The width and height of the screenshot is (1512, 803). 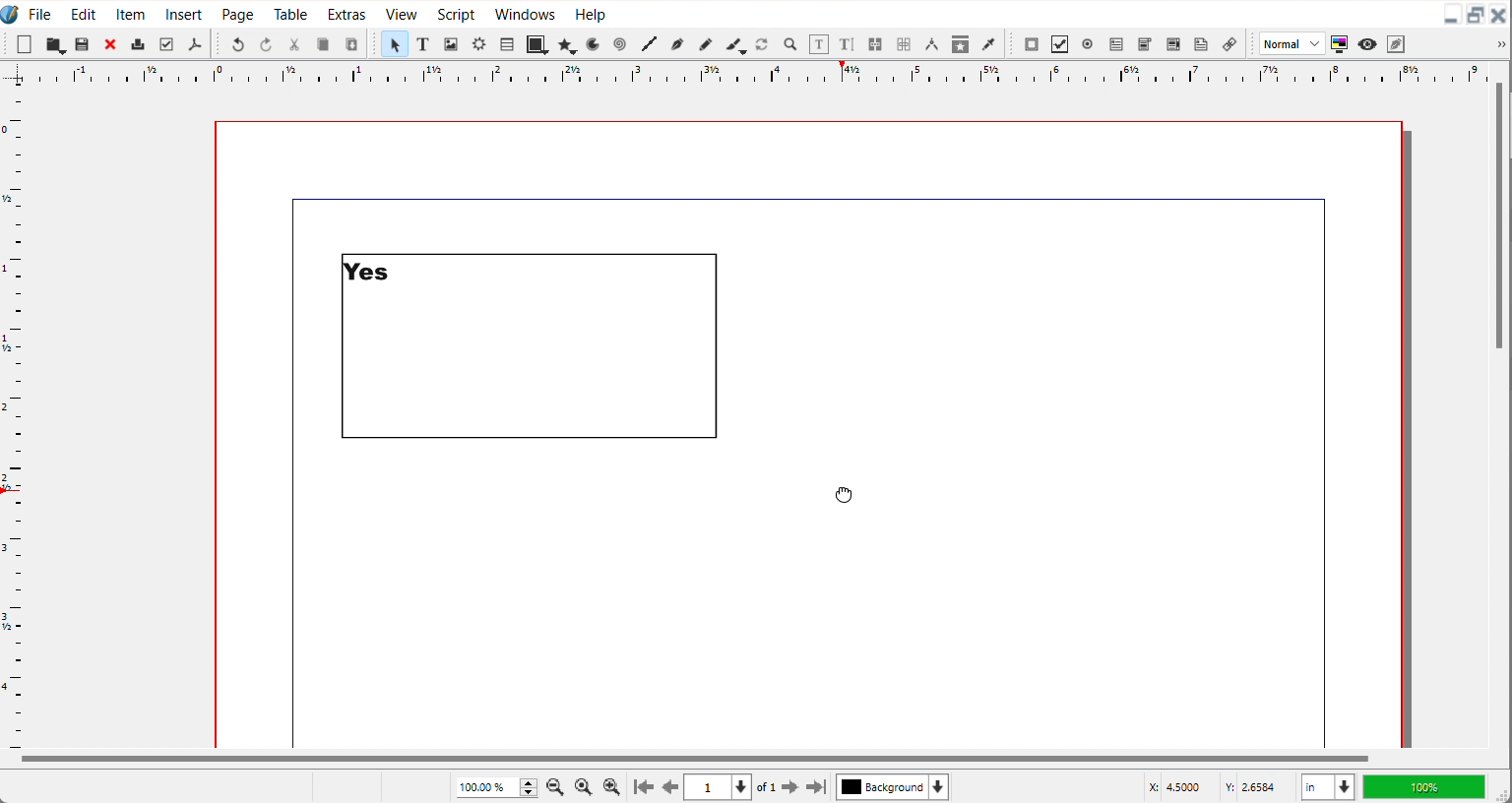 What do you see at coordinates (498, 787) in the screenshot?
I see `Adjust Zoom` at bounding box center [498, 787].